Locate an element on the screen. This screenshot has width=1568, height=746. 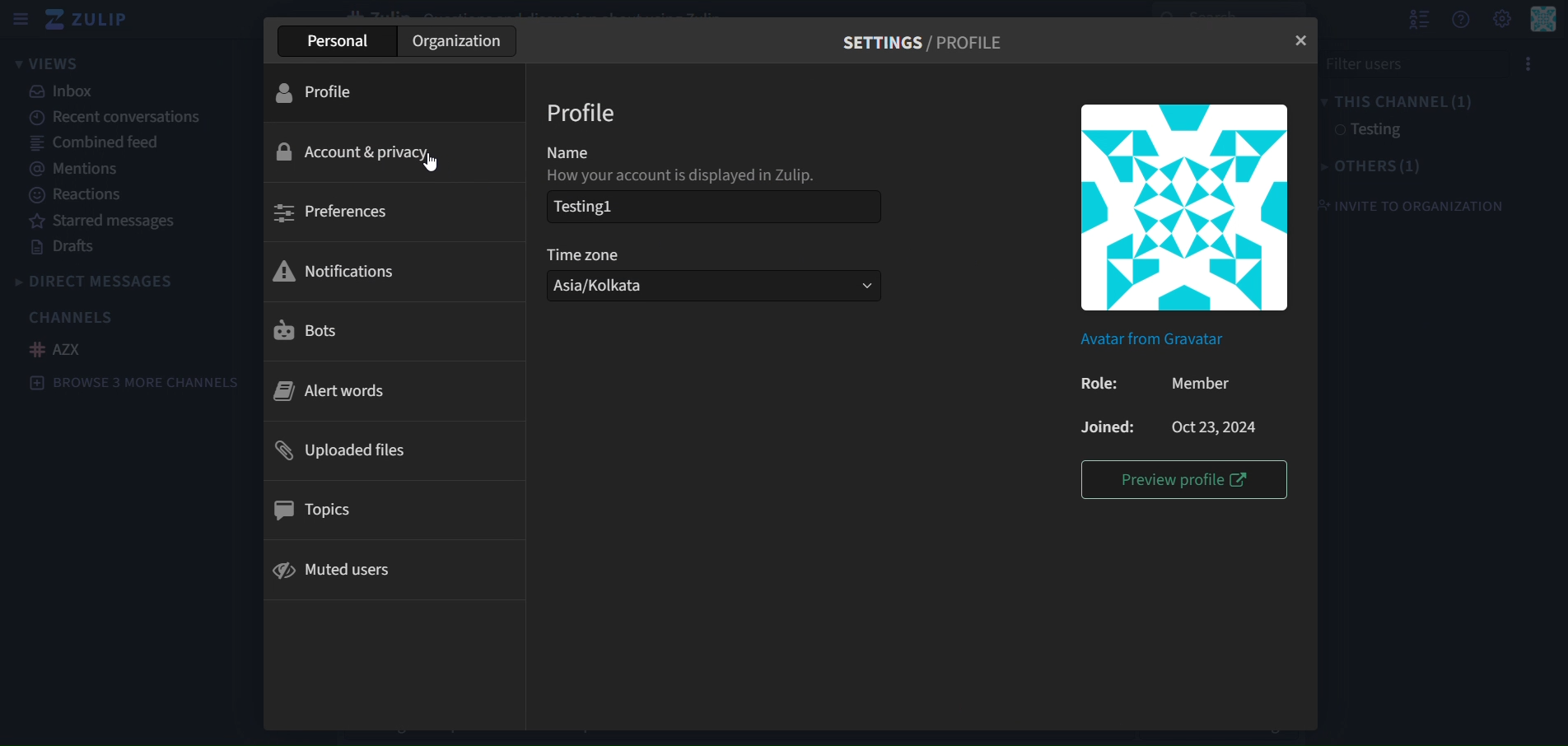
Avatar from Gravatar is located at coordinates (1167, 343).